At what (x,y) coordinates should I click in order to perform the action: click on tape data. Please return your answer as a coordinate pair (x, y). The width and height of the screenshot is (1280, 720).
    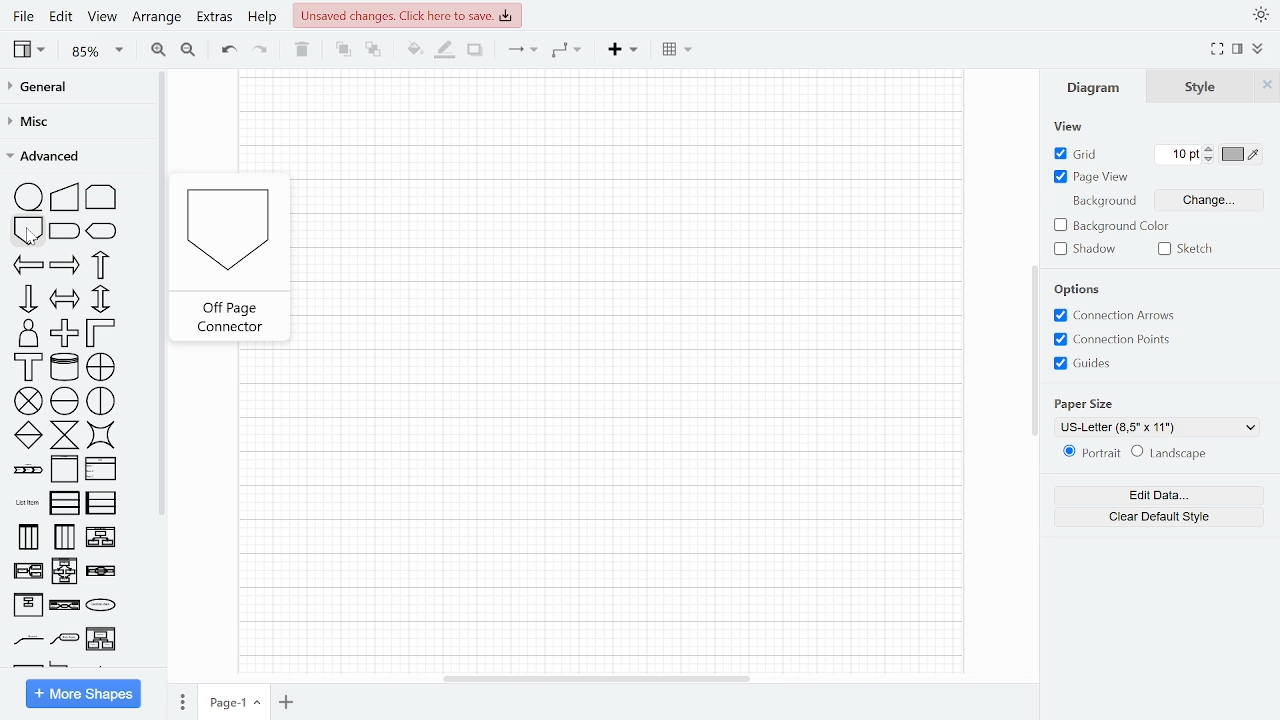
    Looking at the image, I should click on (30, 197).